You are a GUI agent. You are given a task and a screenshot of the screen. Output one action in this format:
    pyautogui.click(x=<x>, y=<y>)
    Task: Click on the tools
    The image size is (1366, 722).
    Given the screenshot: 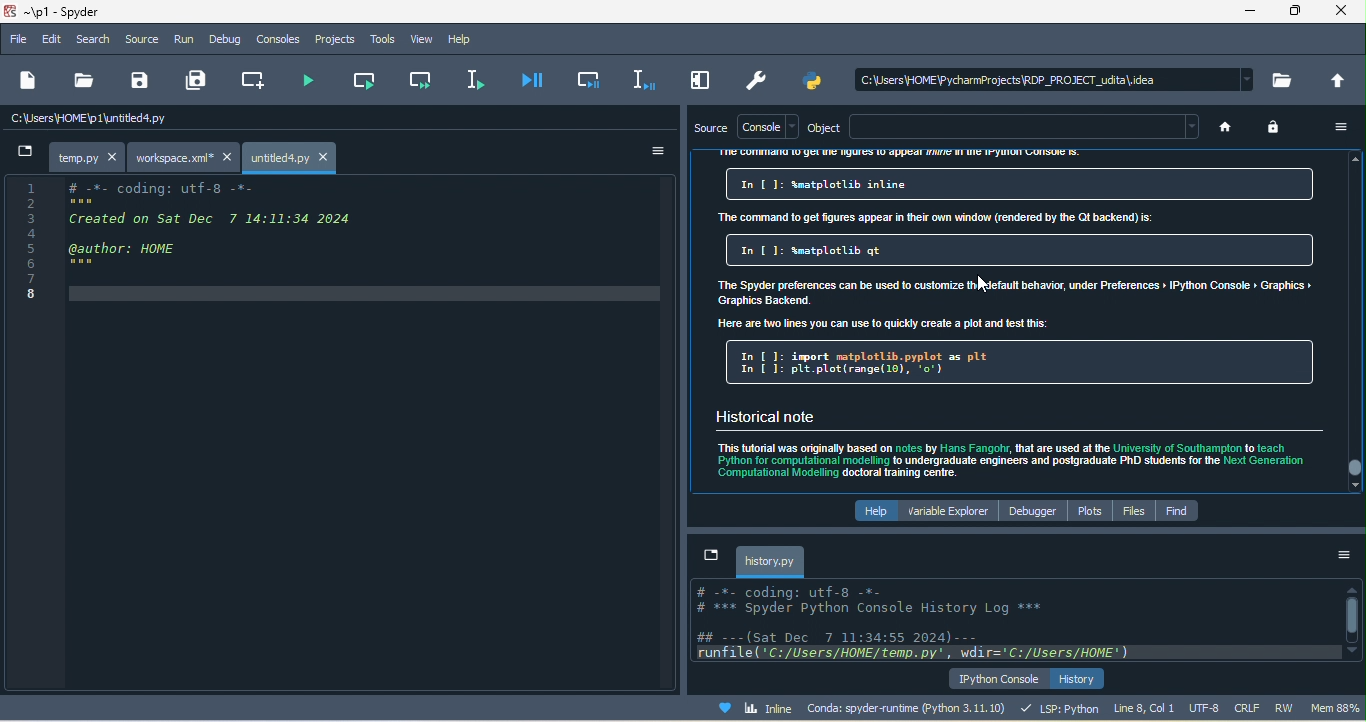 What is the action you would take?
    pyautogui.click(x=380, y=39)
    